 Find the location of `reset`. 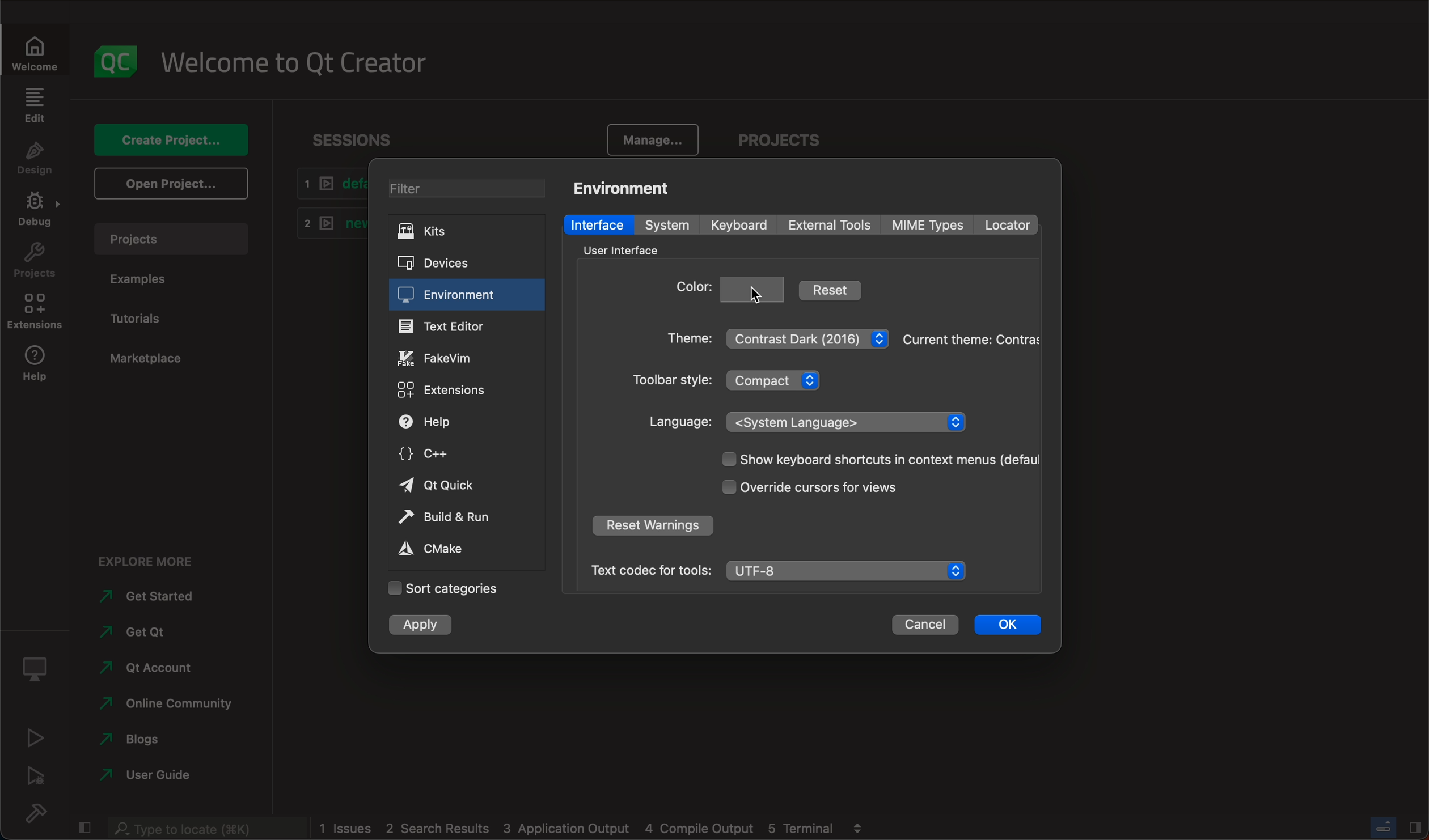

reset is located at coordinates (831, 289).